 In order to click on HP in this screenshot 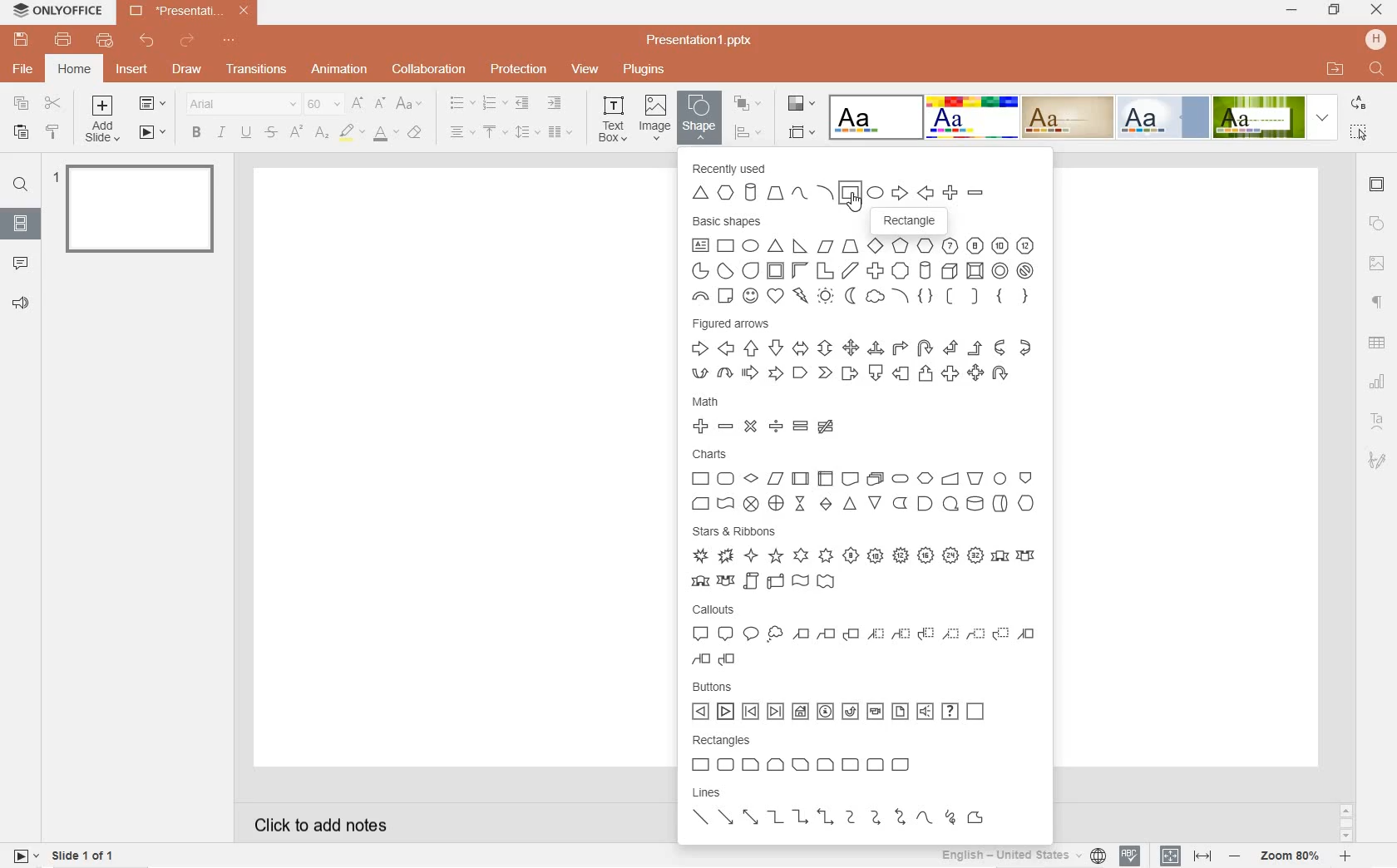, I will do `click(1375, 39)`.